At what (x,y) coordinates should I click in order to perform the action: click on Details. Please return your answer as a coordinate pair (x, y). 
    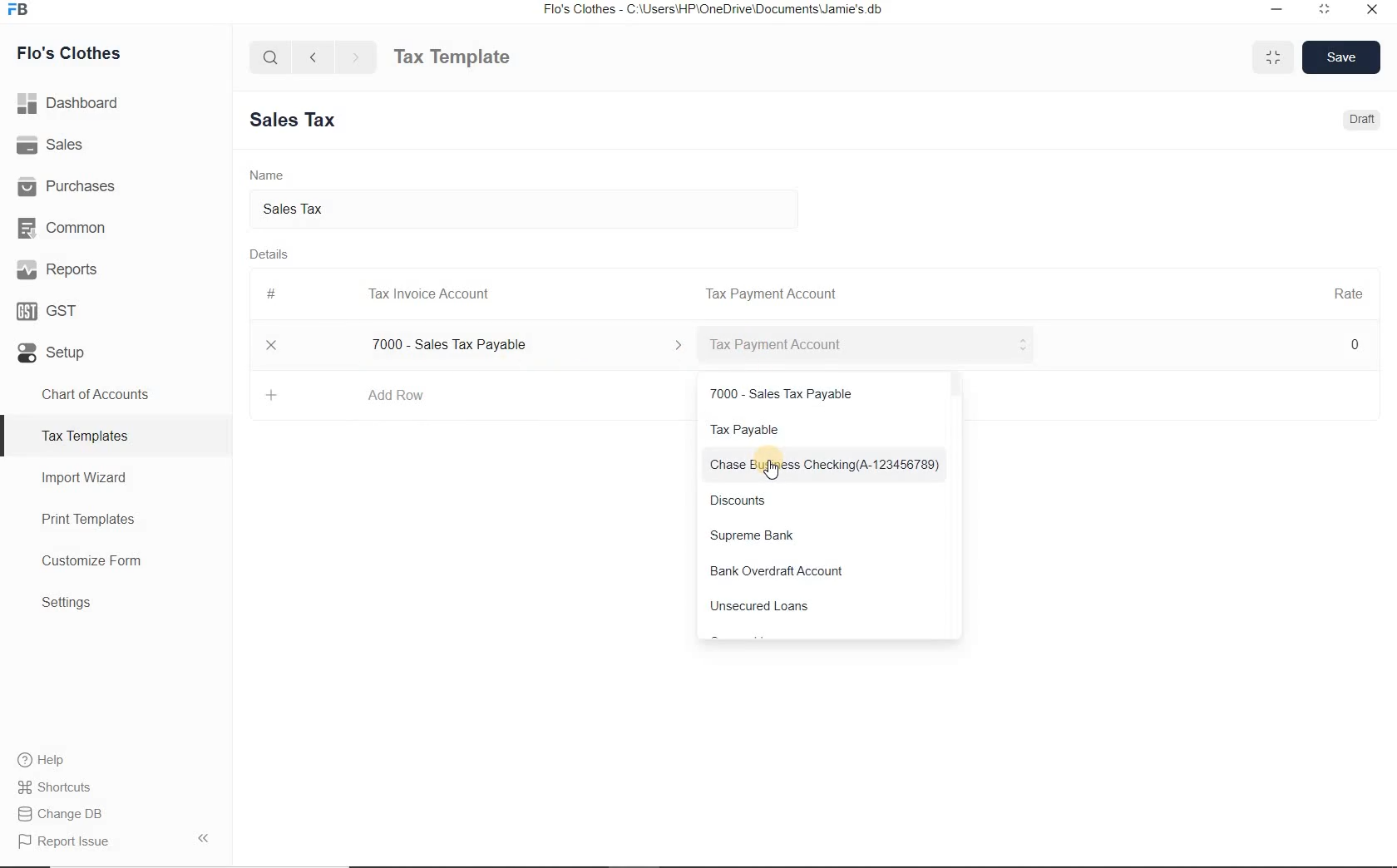
    Looking at the image, I should click on (269, 254).